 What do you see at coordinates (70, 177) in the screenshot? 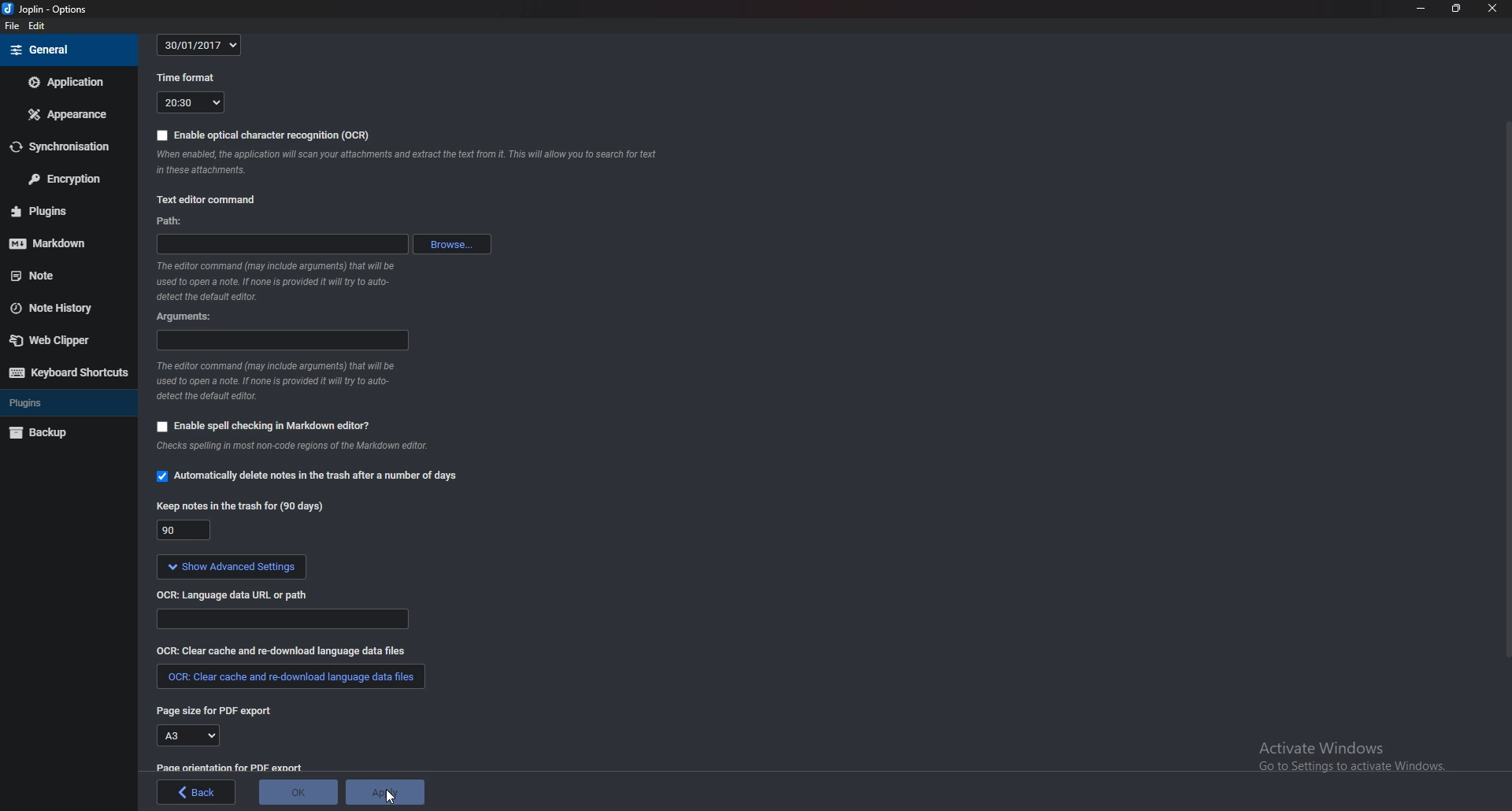
I see `Encryption` at bounding box center [70, 177].